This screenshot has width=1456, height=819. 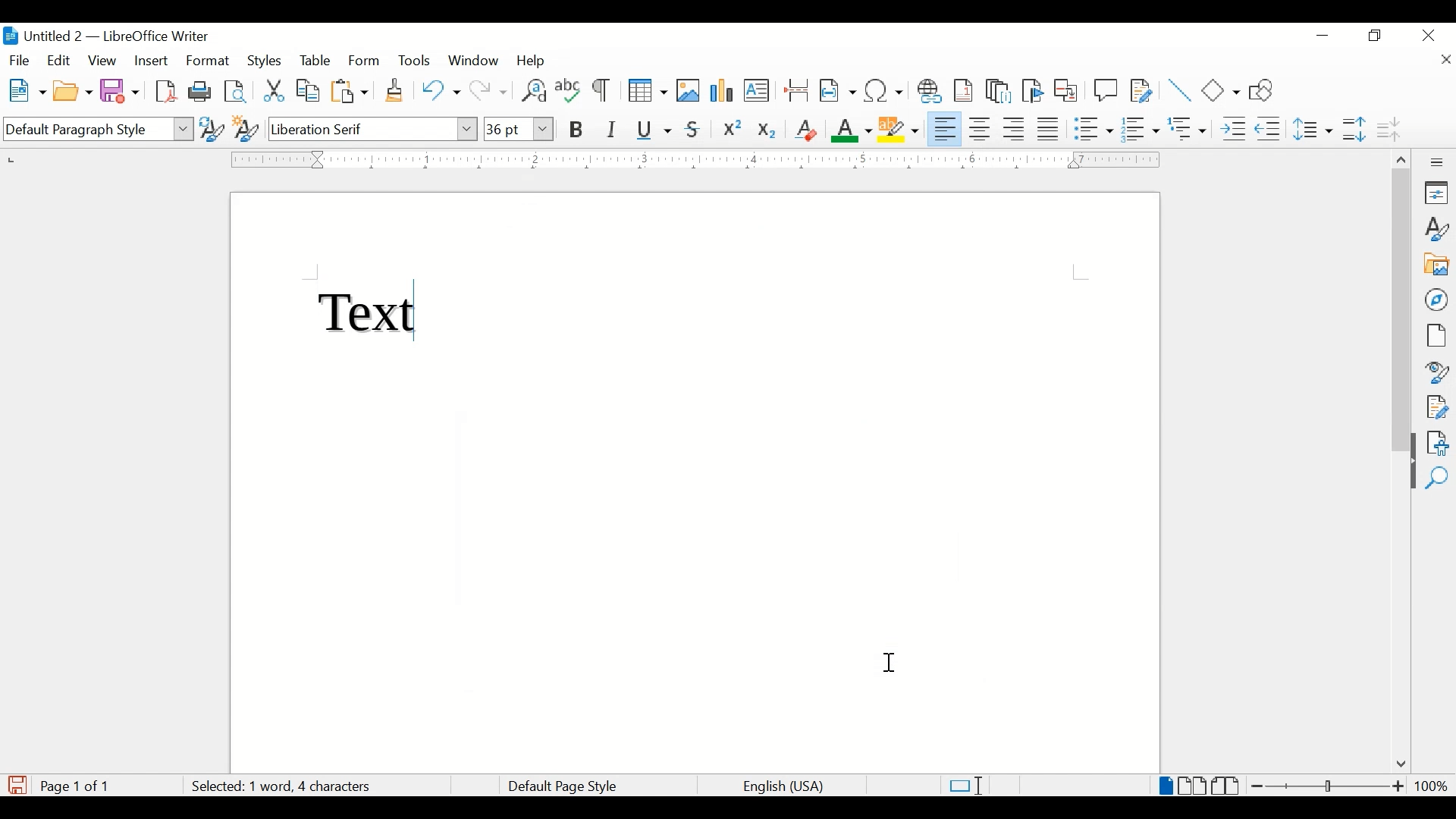 What do you see at coordinates (200, 90) in the screenshot?
I see `print` at bounding box center [200, 90].